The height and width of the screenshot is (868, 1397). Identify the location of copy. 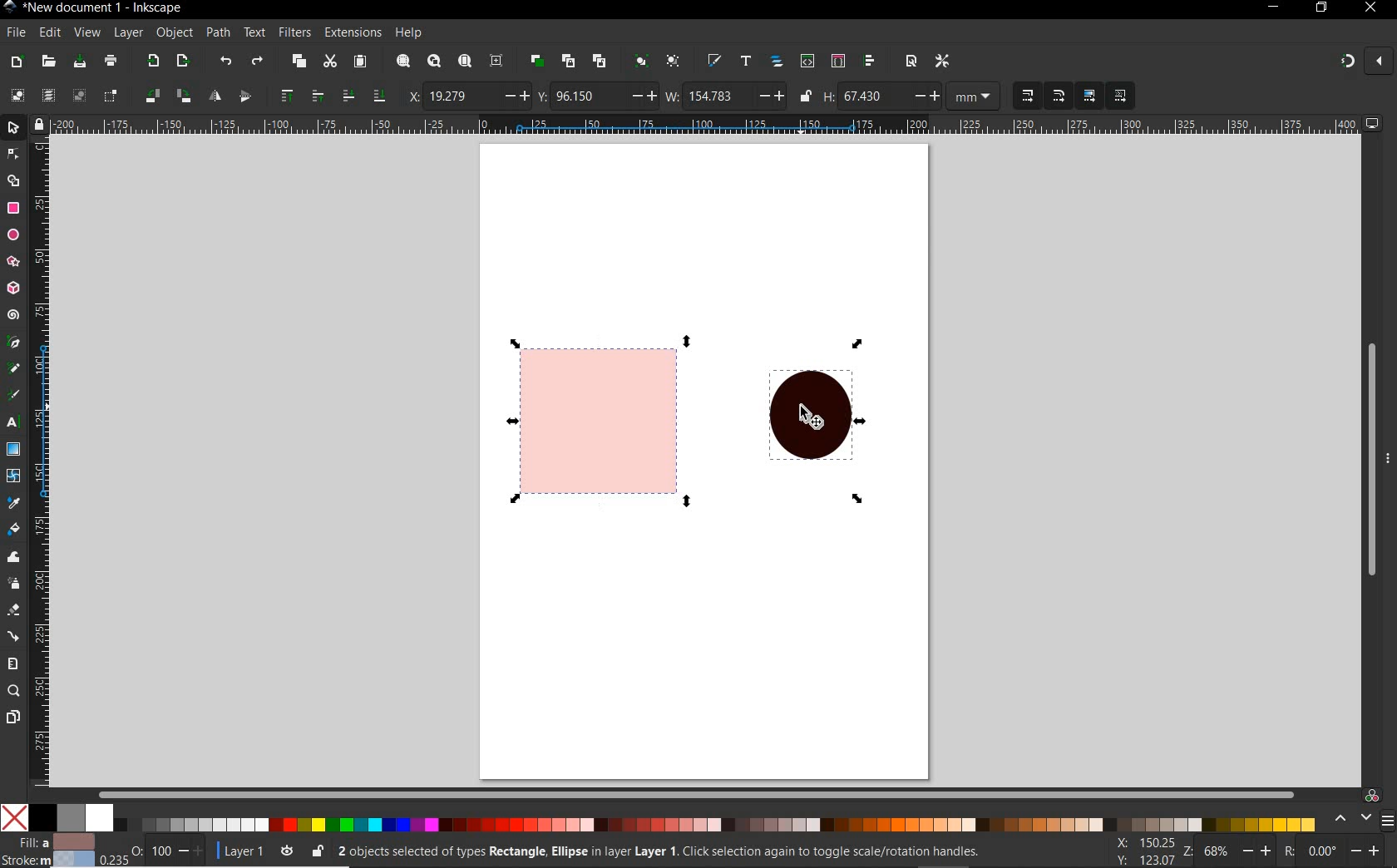
(299, 62).